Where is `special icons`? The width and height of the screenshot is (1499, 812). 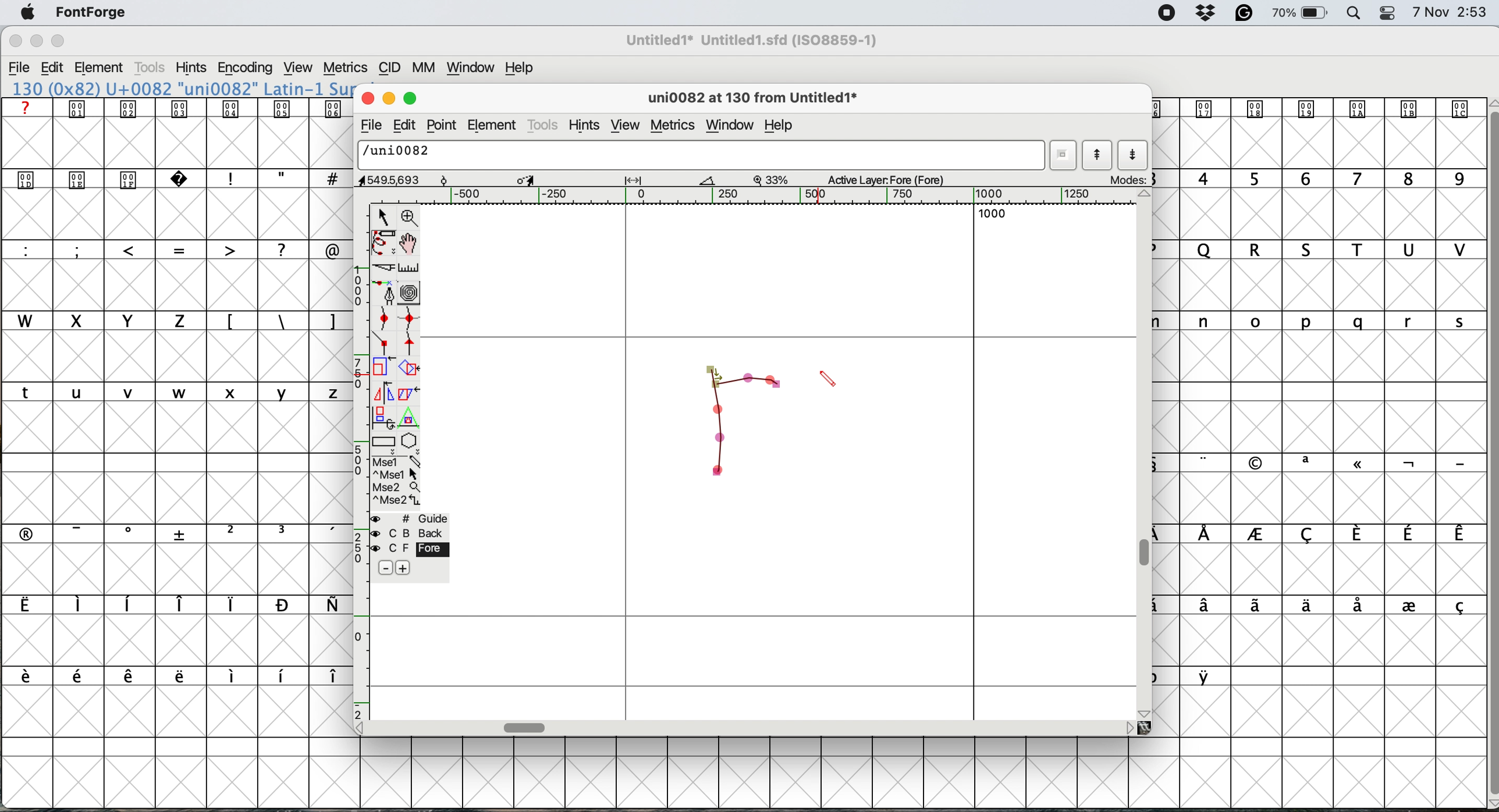 special icons is located at coordinates (106, 177).